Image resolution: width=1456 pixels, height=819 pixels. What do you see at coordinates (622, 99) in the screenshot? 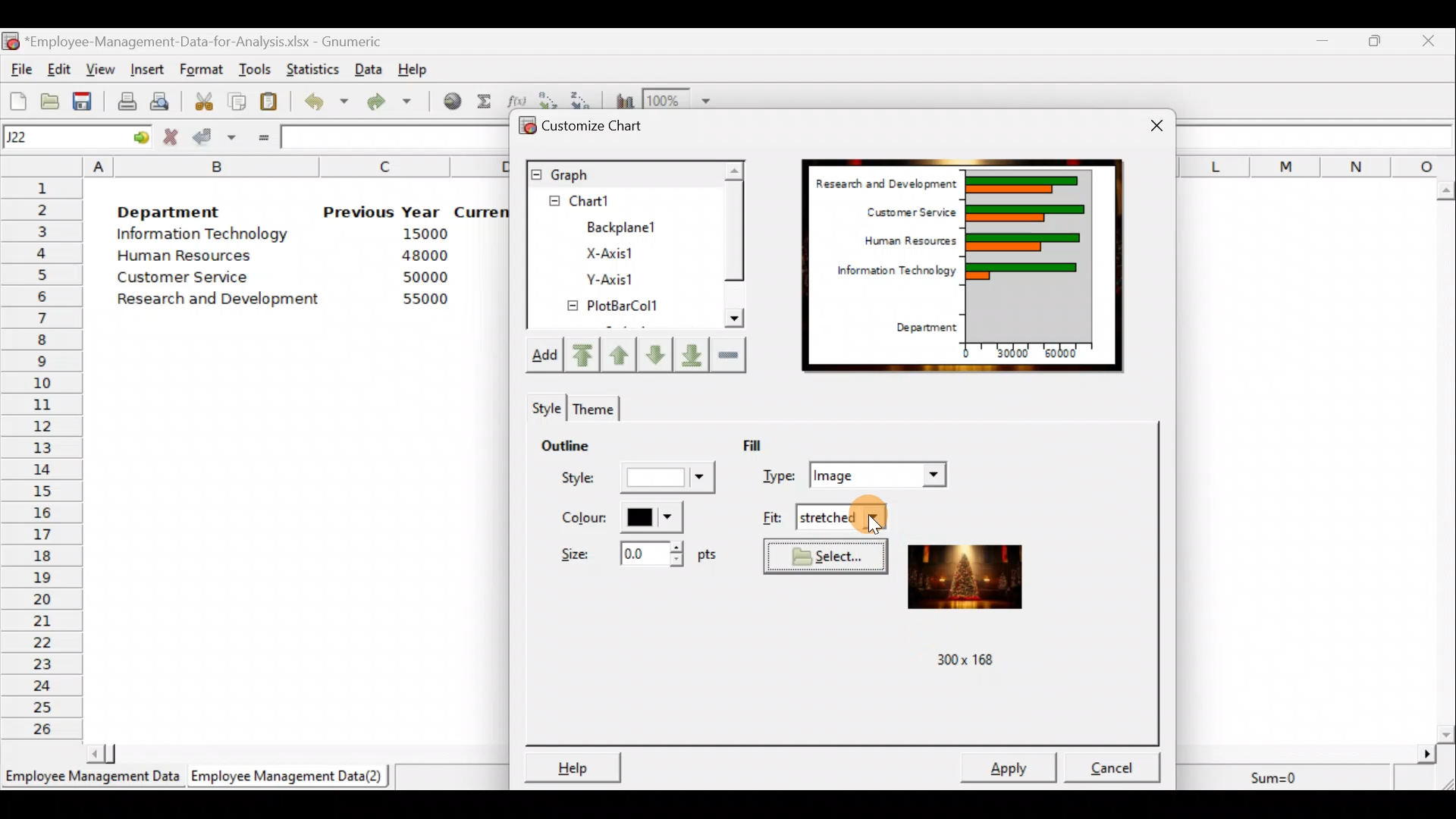
I see `Insert a chart` at bounding box center [622, 99].